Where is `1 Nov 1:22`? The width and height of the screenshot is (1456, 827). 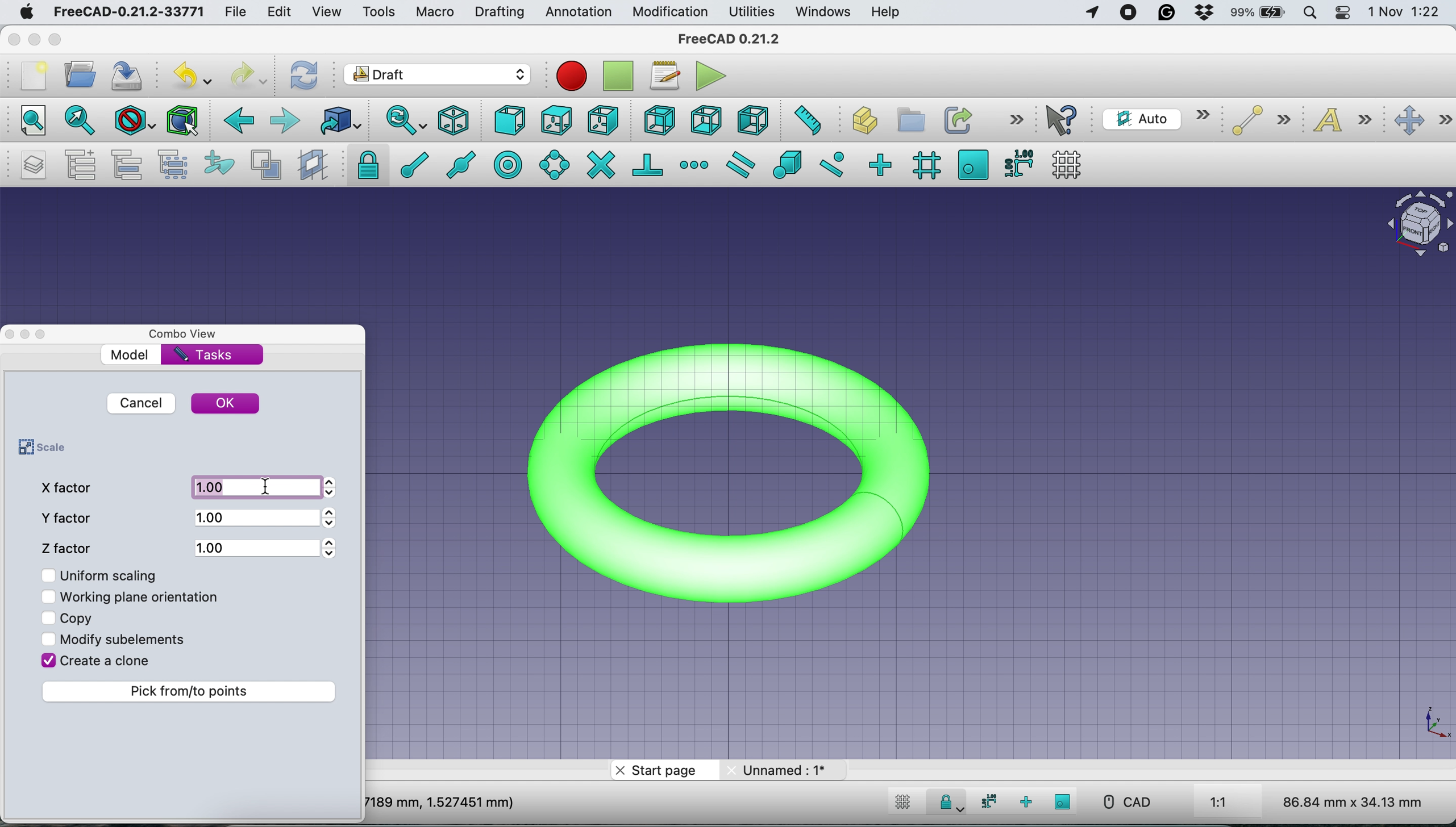 1 Nov 1:22 is located at coordinates (1403, 12).